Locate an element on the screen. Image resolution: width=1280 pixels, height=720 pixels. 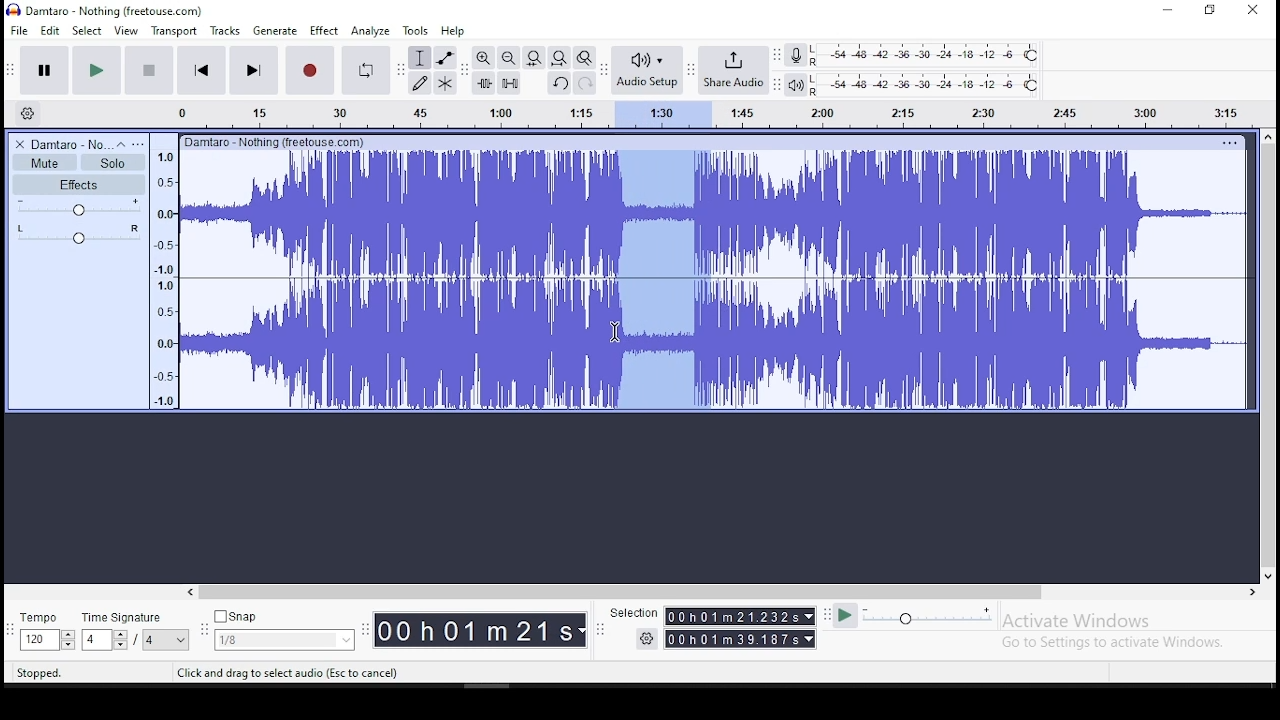
timeline settings is located at coordinates (26, 112).